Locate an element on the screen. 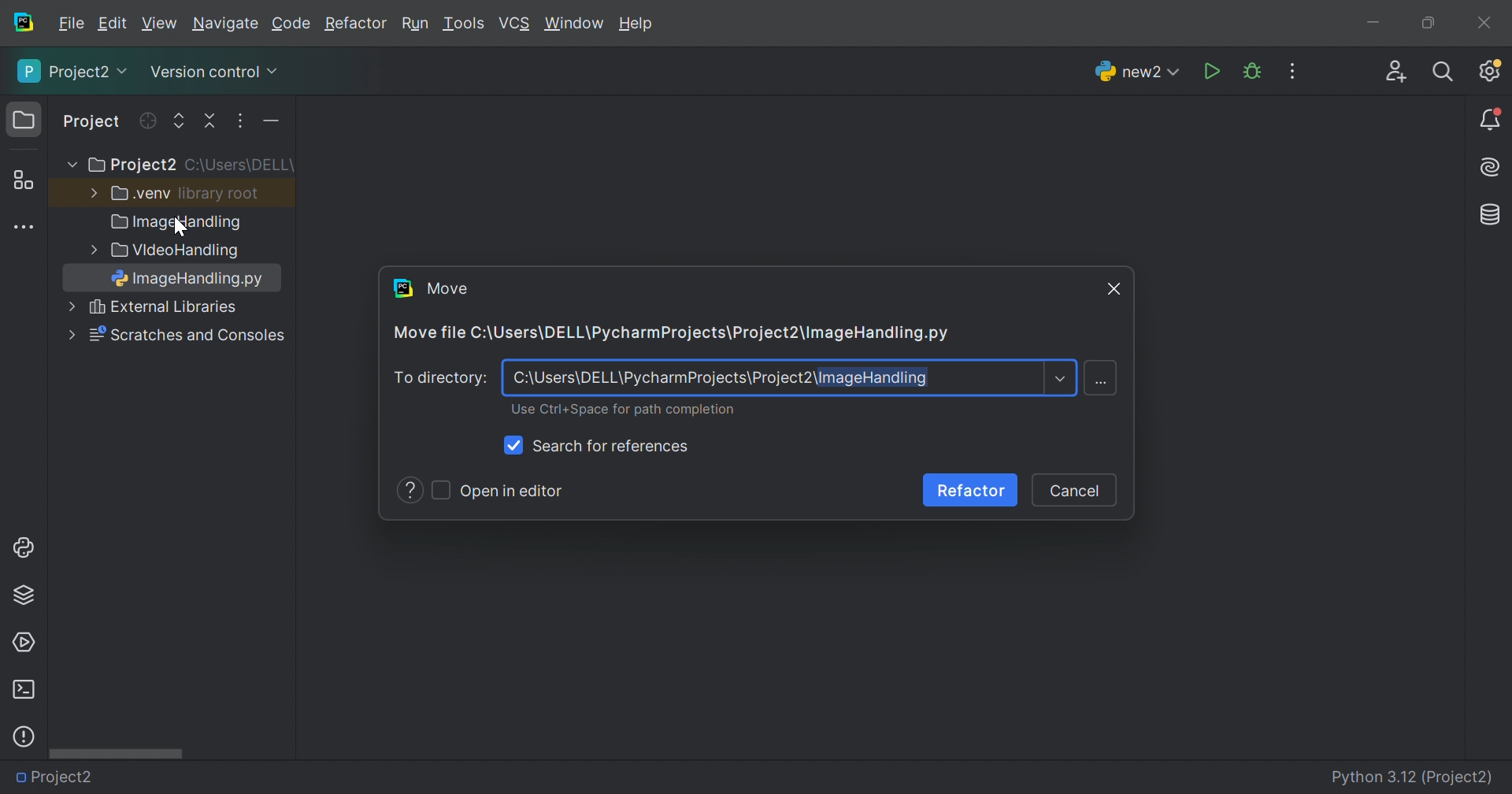 The width and height of the screenshot is (1512, 794). Python console is located at coordinates (26, 547).